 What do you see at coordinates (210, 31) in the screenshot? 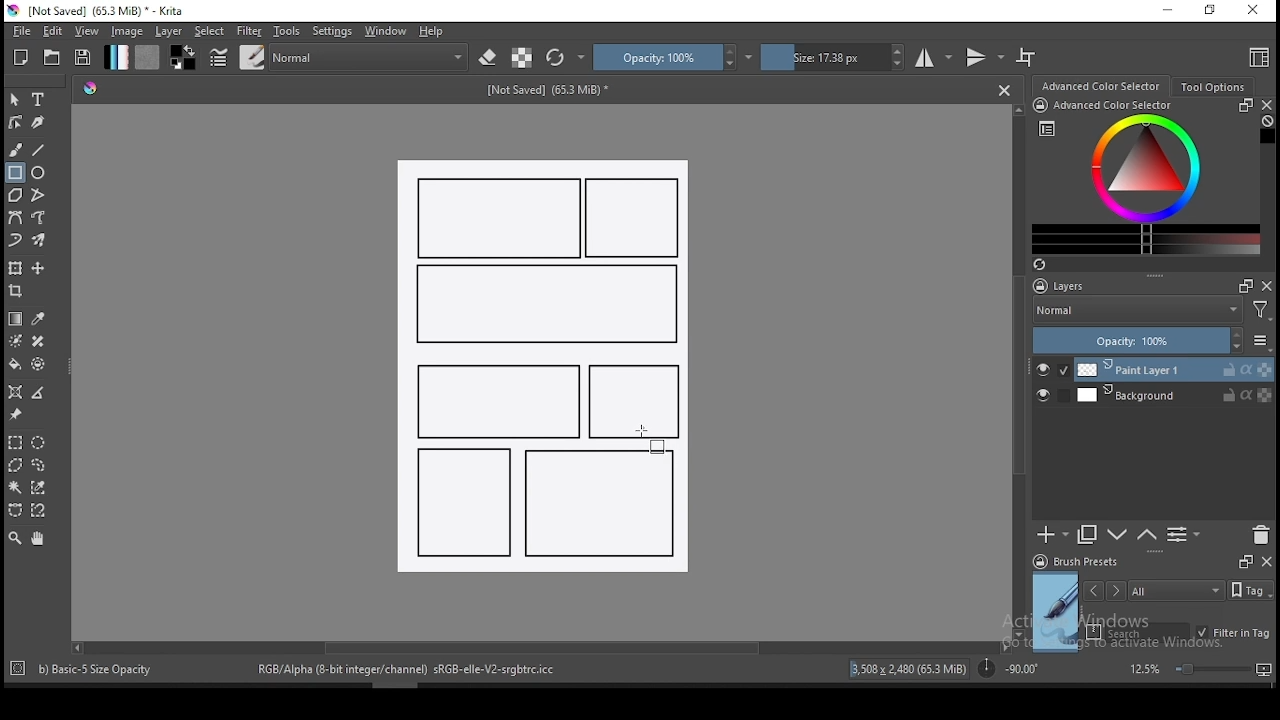
I see `select` at bounding box center [210, 31].